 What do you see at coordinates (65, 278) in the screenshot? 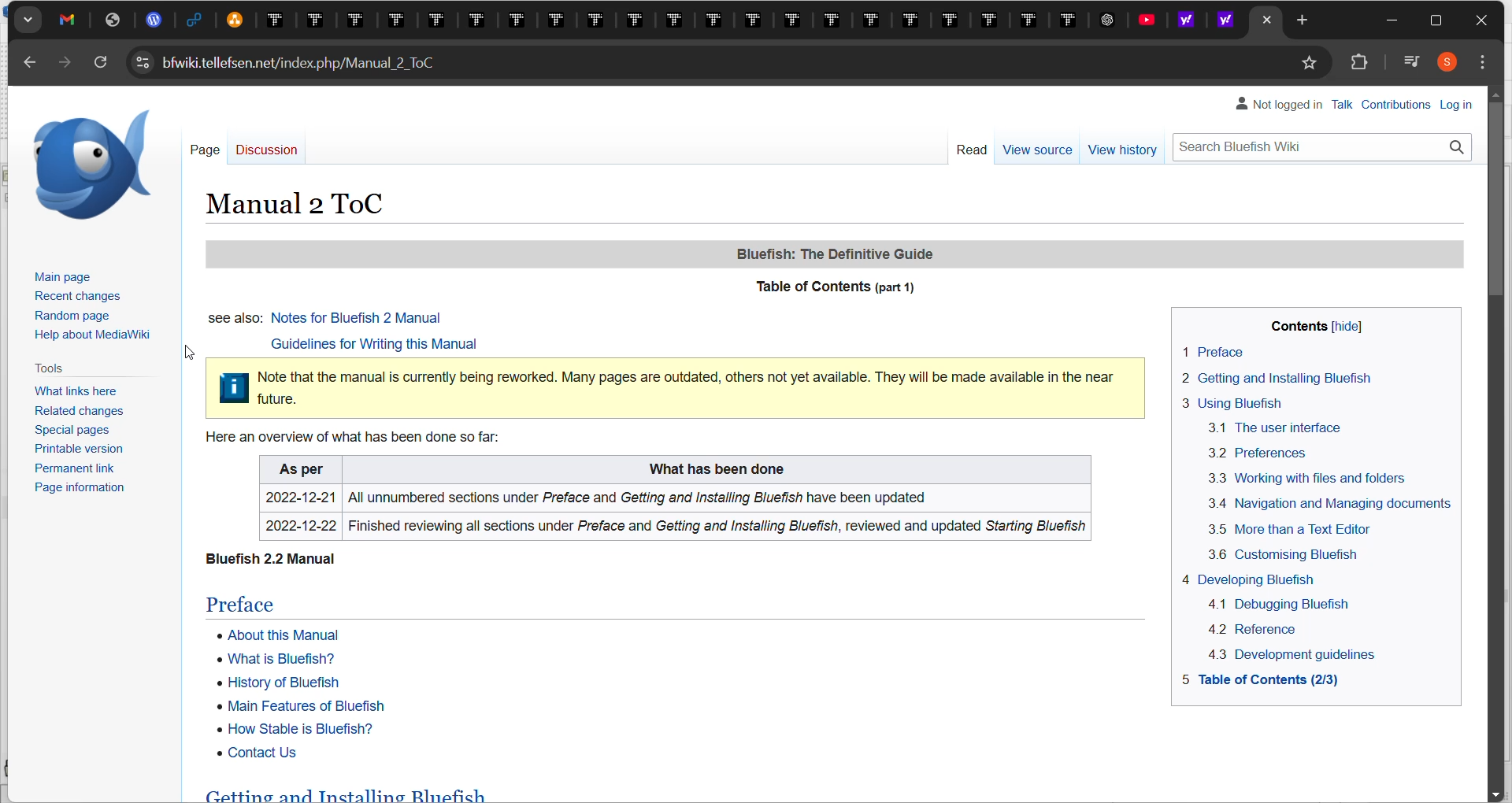
I see `main page` at bounding box center [65, 278].